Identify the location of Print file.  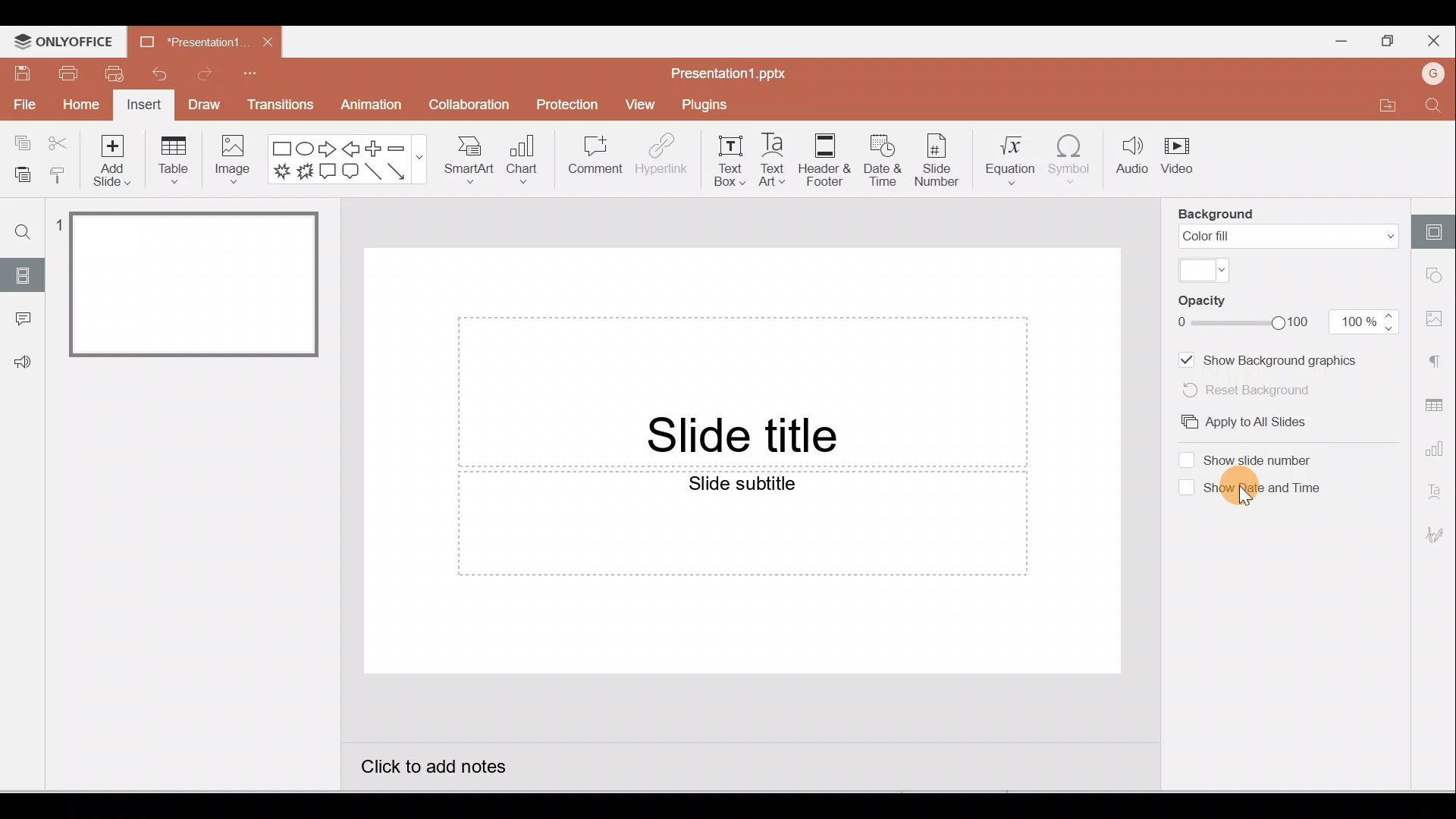
(67, 74).